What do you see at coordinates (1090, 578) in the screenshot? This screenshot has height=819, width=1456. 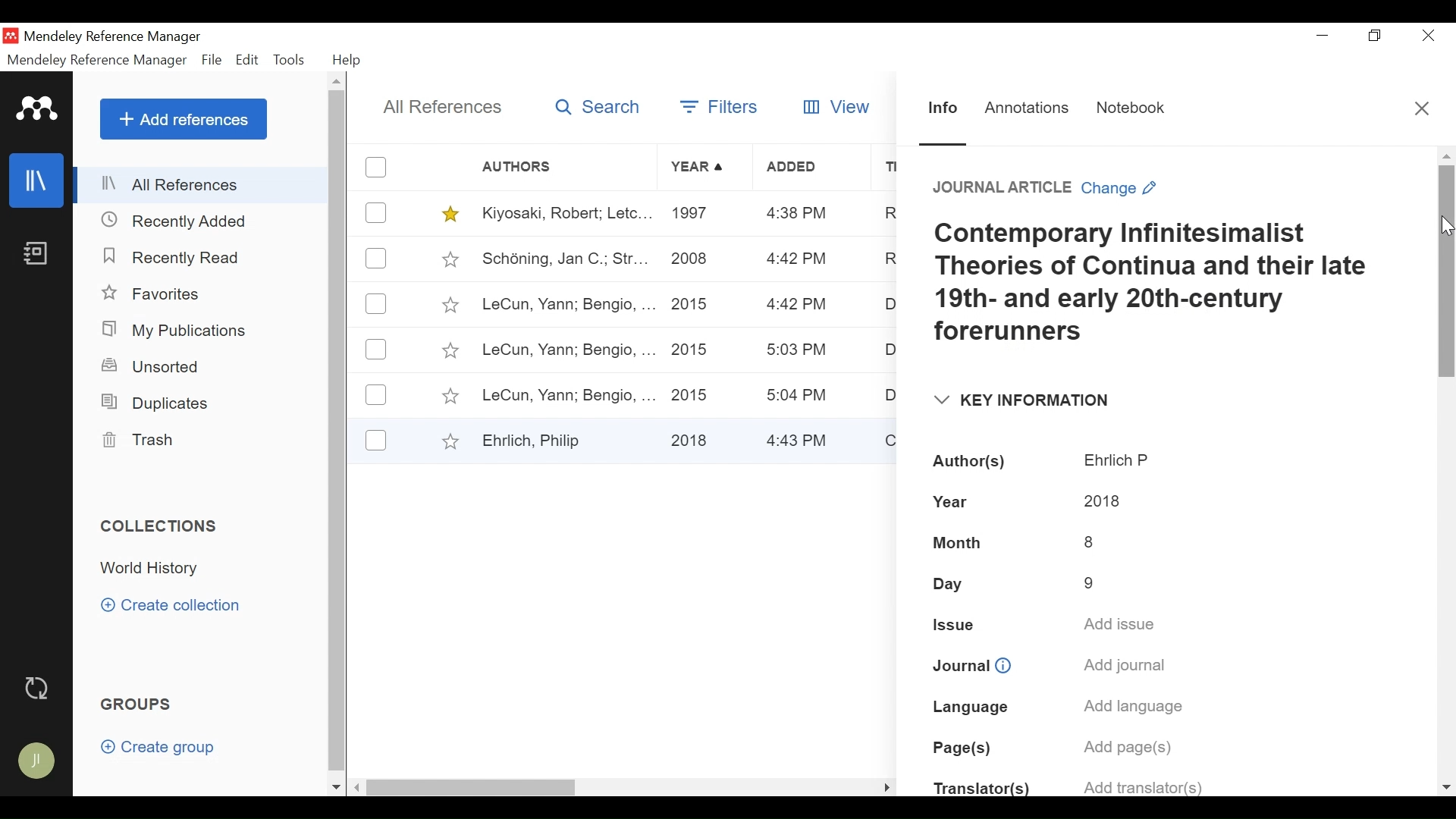 I see `9` at bounding box center [1090, 578].